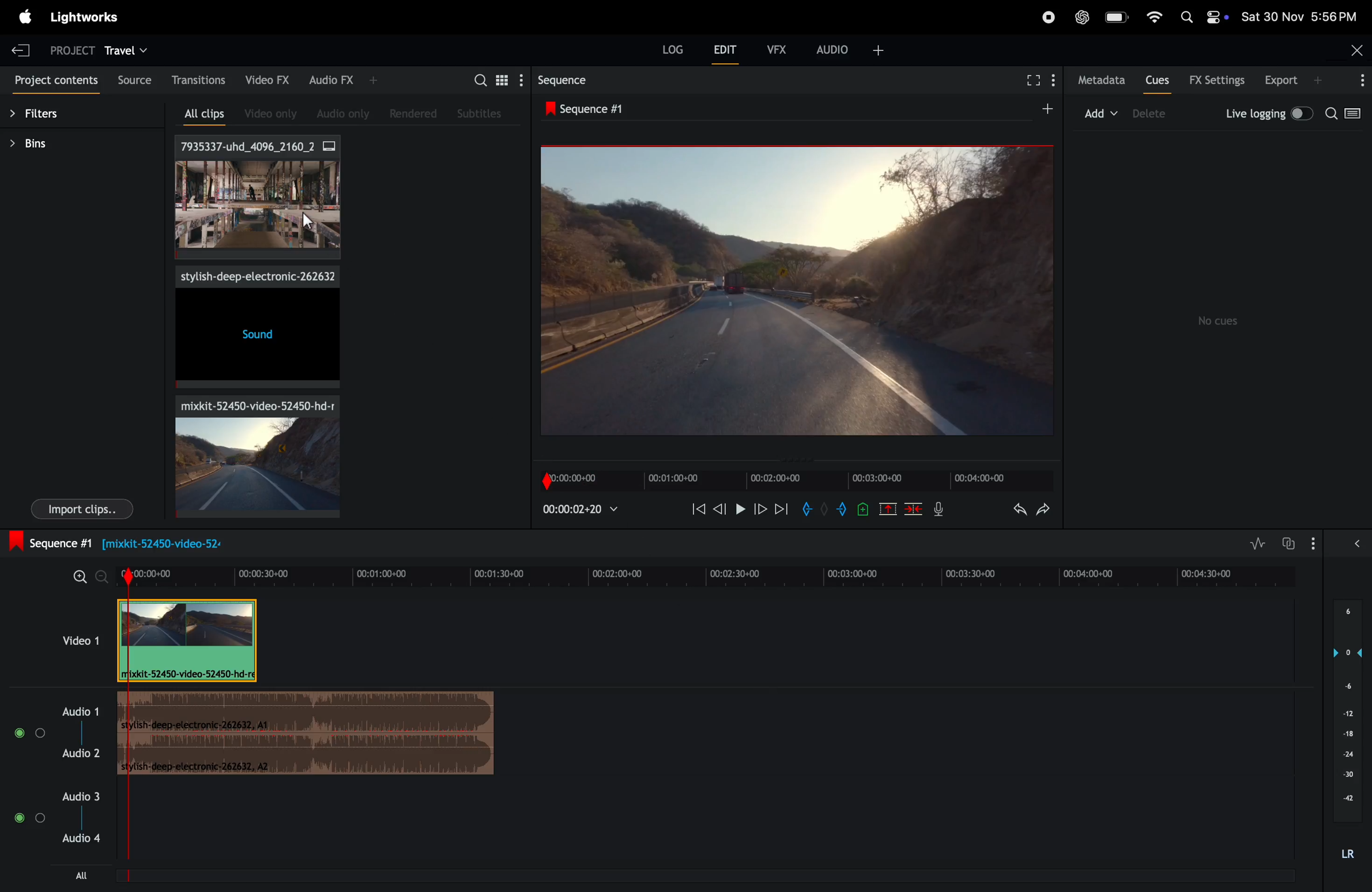  What do you see at coordinates (915, 509) in the screenshot?
I see `delete` at bounding box center [915, 509].